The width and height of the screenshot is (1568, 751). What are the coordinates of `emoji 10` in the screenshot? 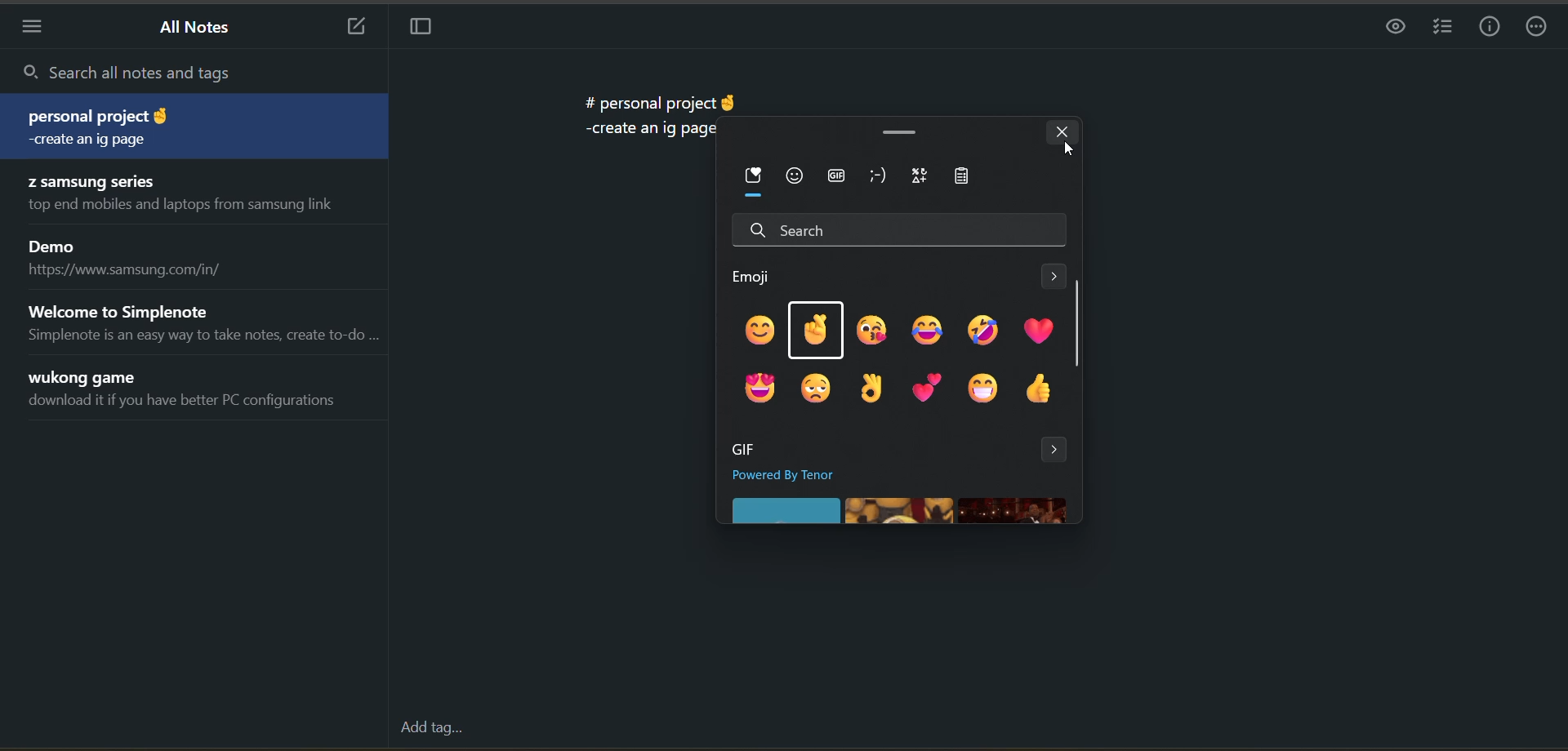 It's located at (930, 388).